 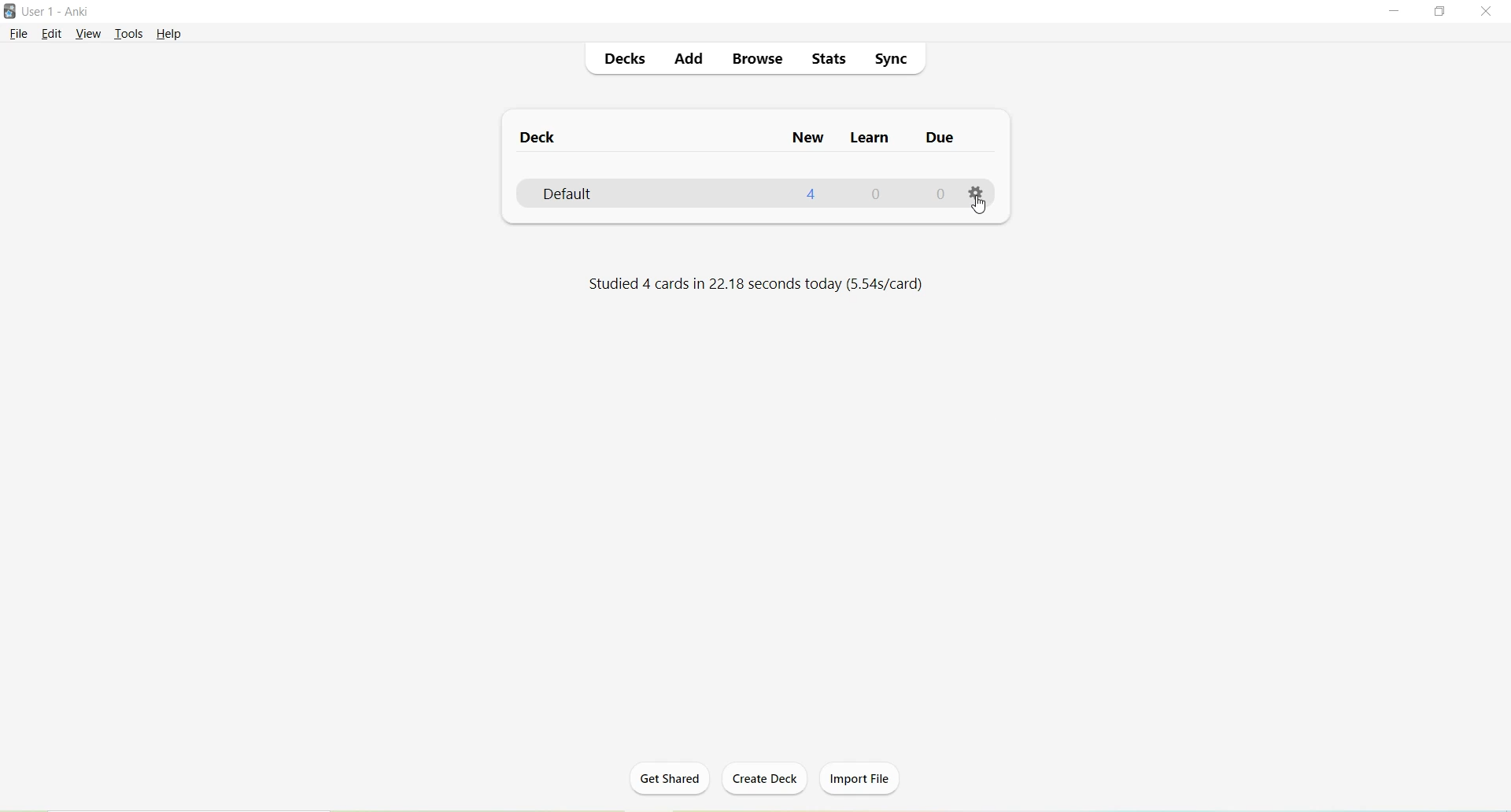 I want to click on Help, so click(x=168, y=34).